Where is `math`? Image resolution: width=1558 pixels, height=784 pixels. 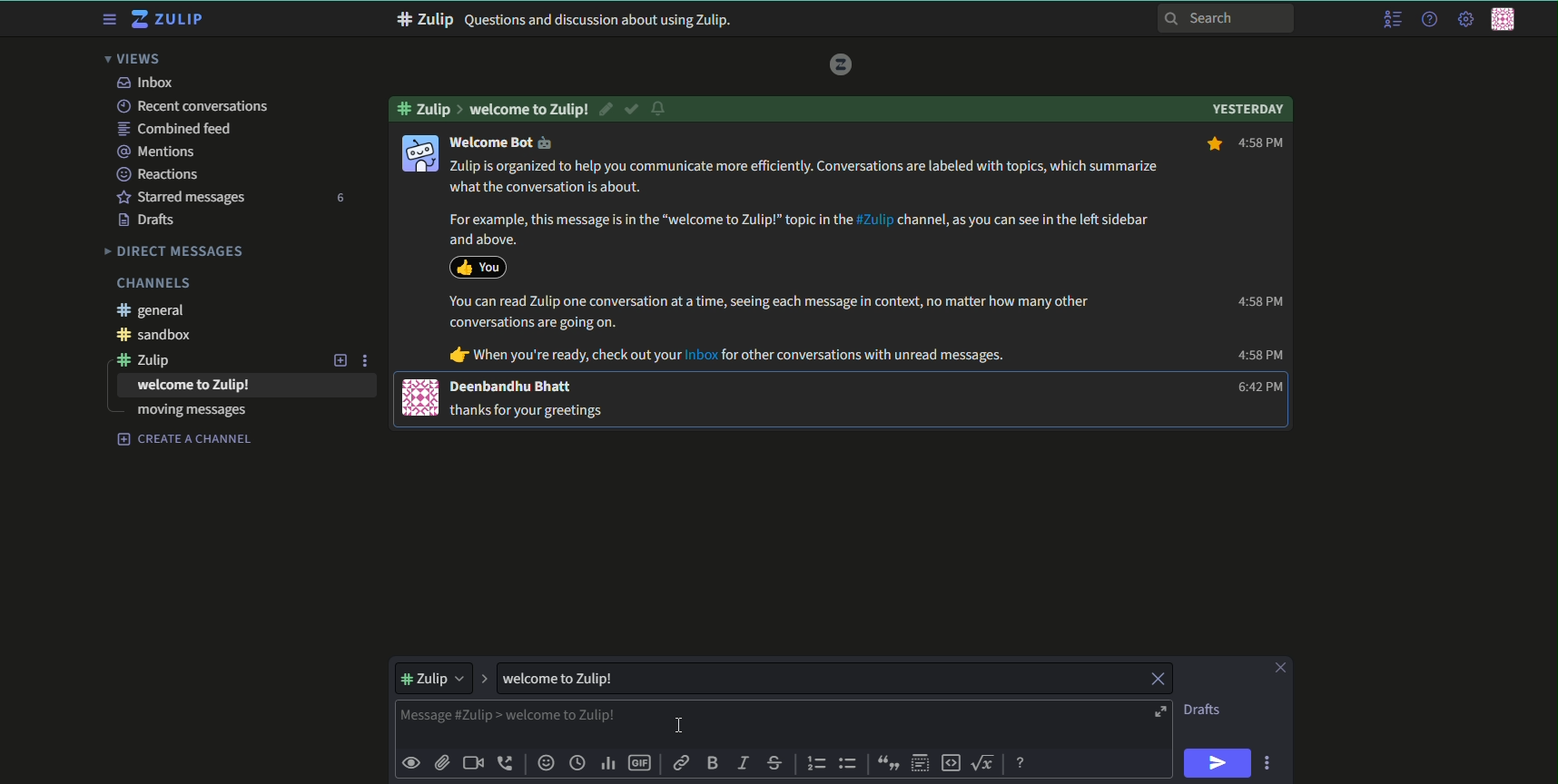
math is located at coordinates (986, 761).